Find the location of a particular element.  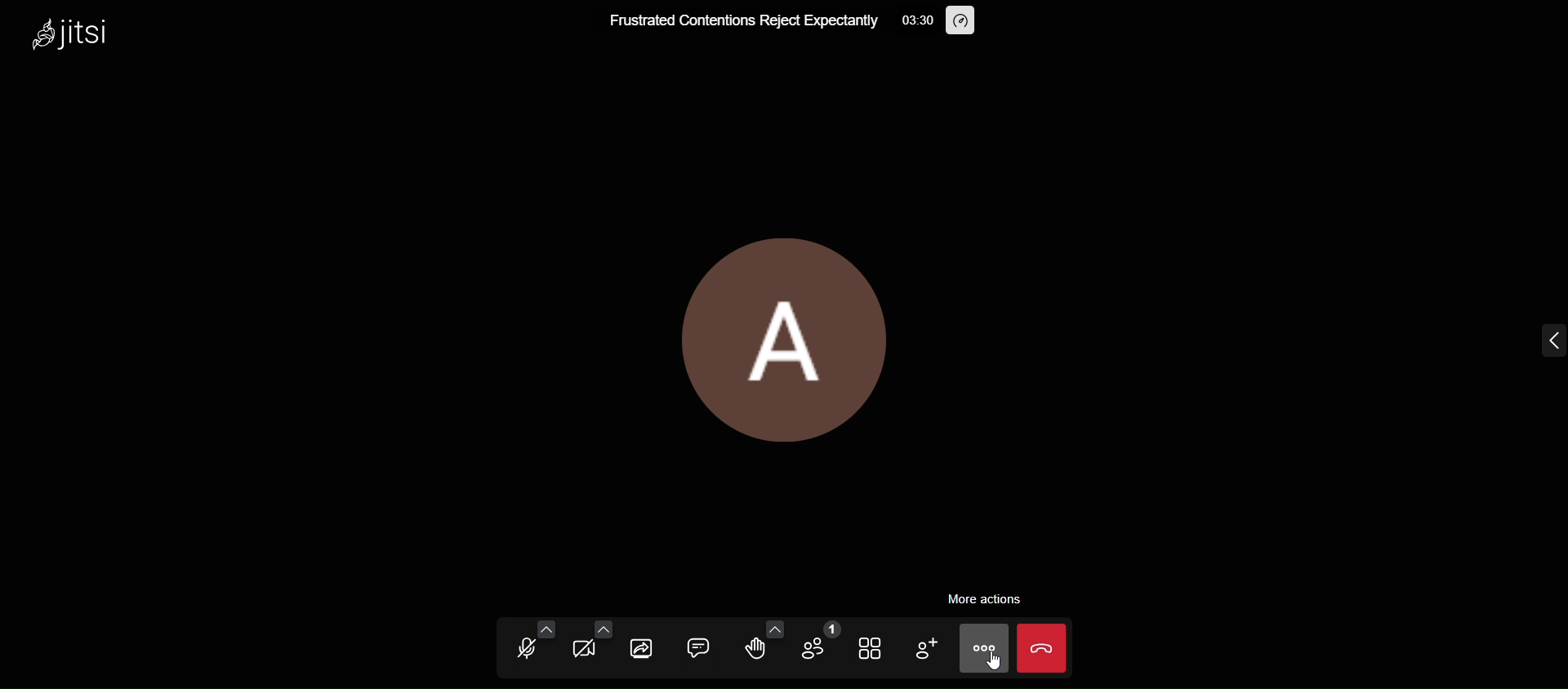

audio setting is located at coordinates (543, 619).